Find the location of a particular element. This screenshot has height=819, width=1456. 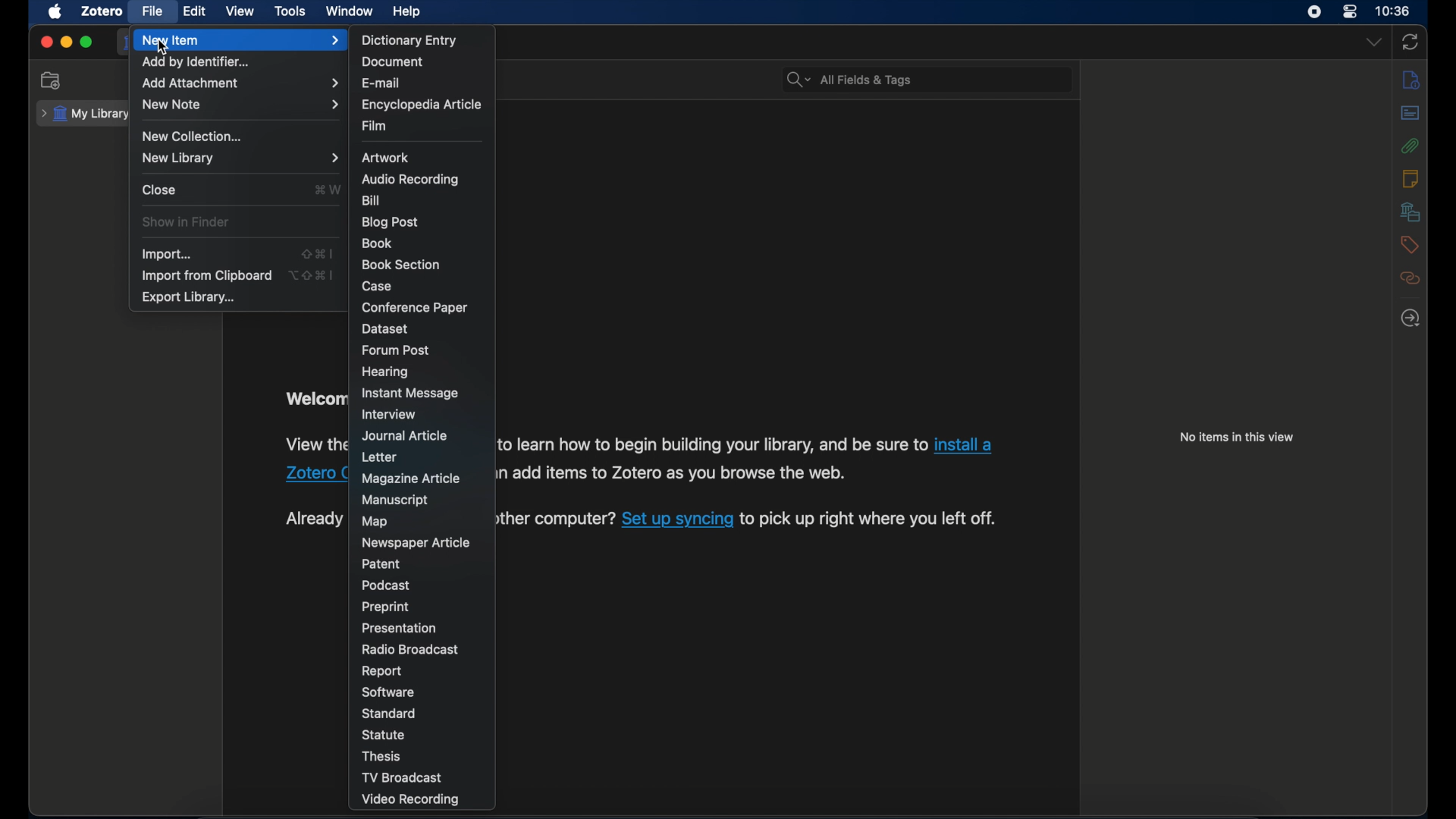

encyclopedia article is located at coordinates (420, 105).